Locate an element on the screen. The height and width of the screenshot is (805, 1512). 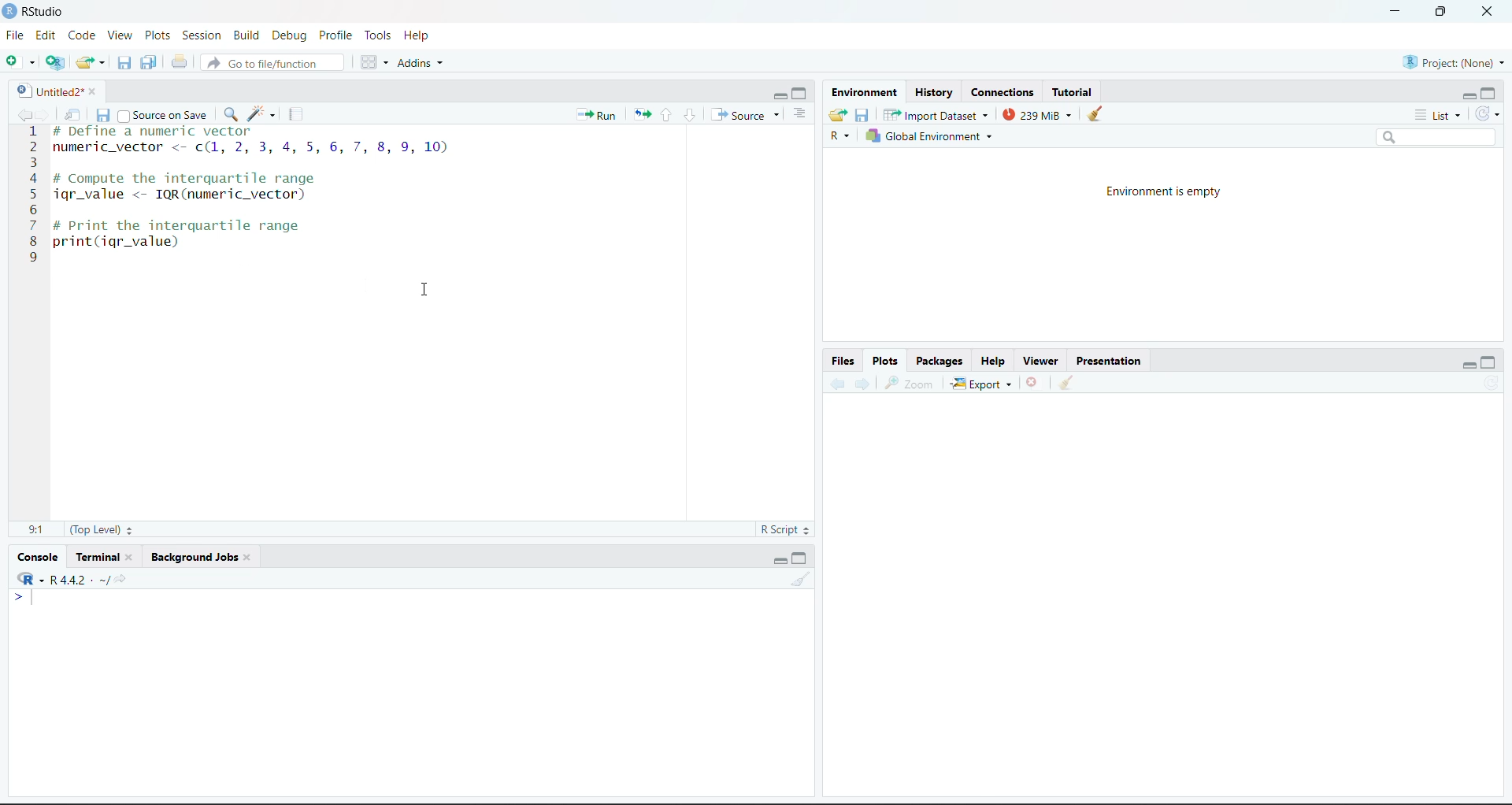
Addins is located at coordinates (423, 62).